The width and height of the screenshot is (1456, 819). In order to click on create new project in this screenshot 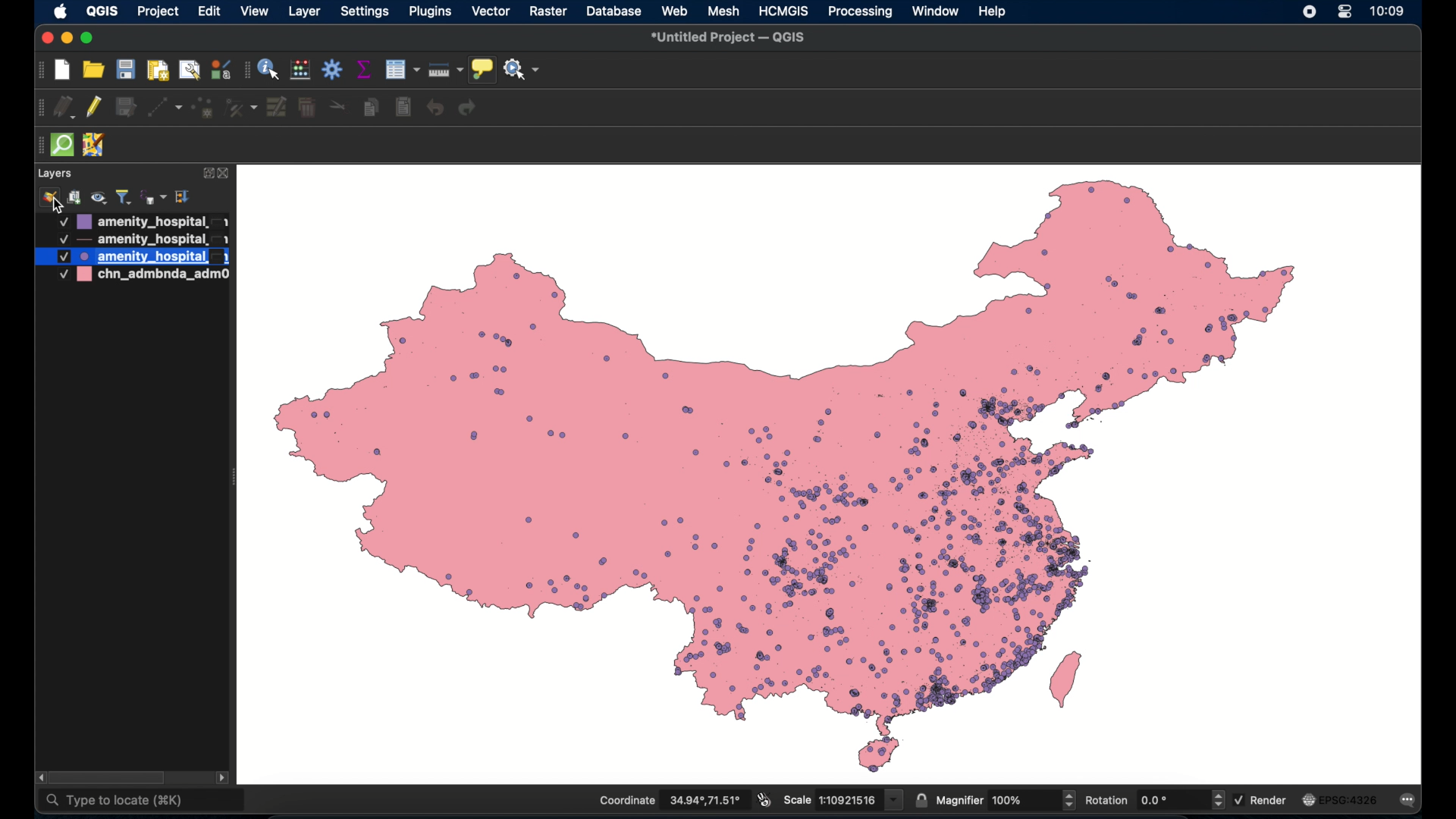, I will do `click(61, 69)`.